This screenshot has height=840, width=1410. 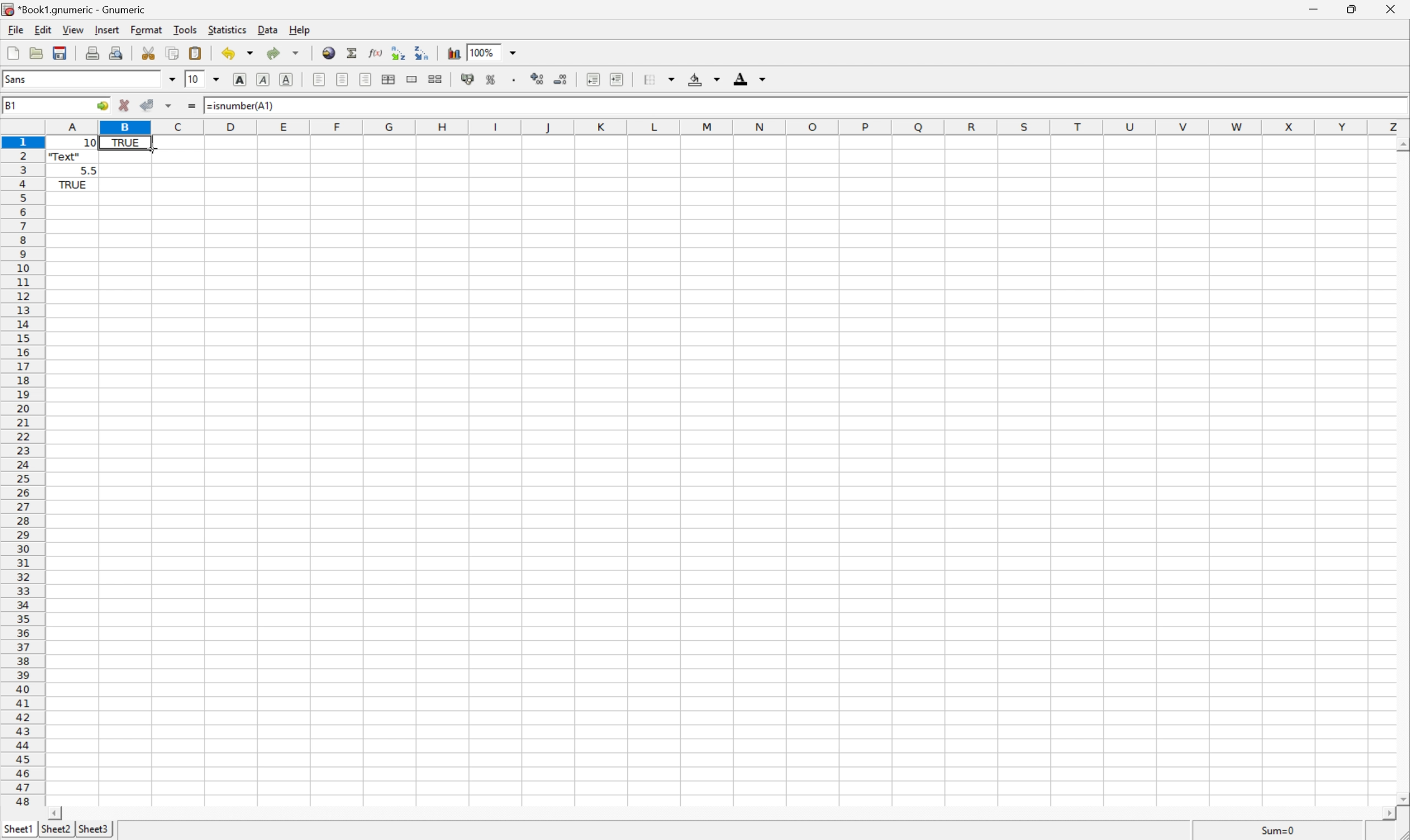 What do you see at coordinates (422, 52) in the screenshot?
I see `Sort the selected region in descending order based on the first column selected` at bounding box center [422, 52].